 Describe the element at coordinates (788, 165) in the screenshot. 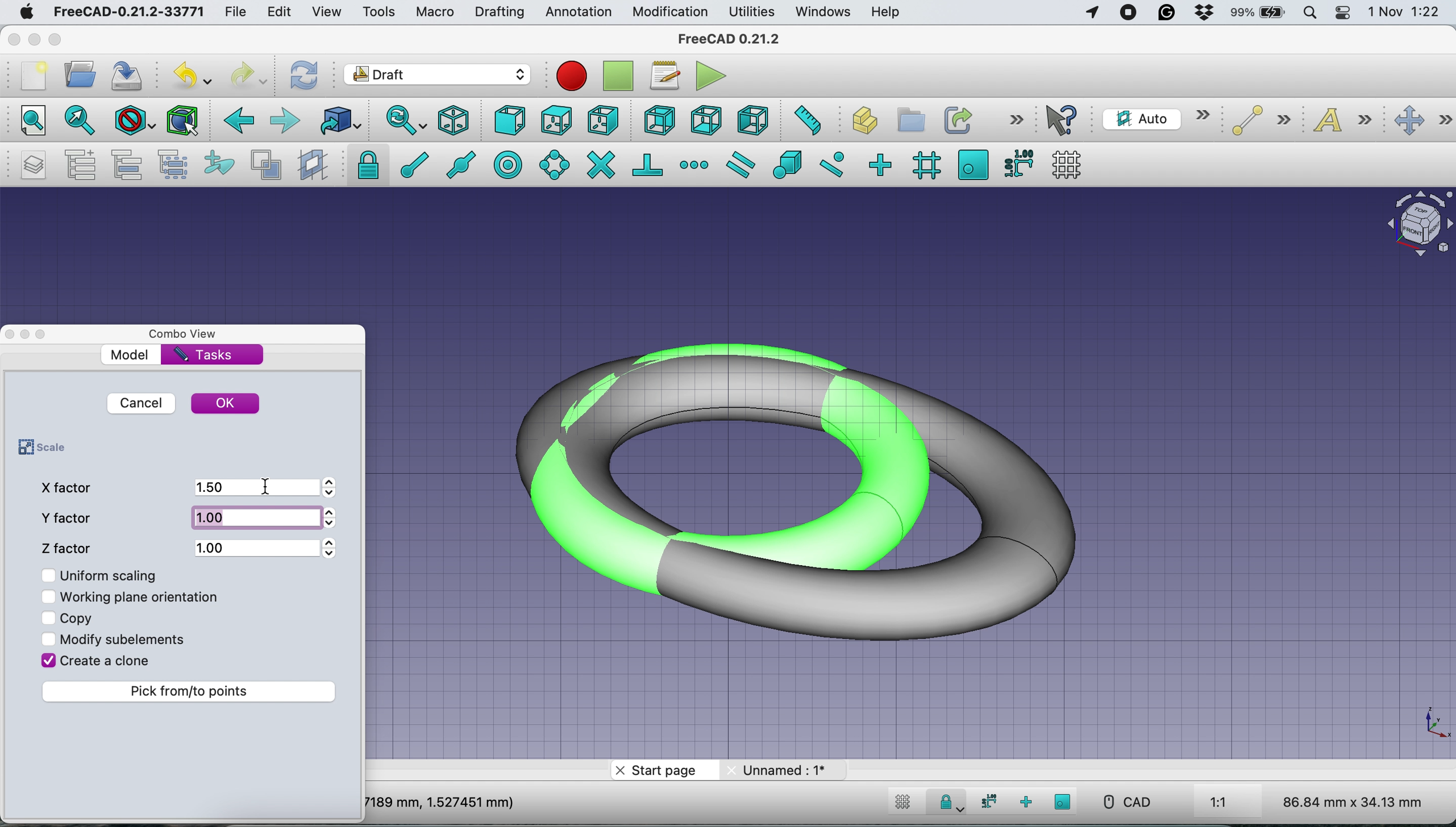

I see `snap special` at that location.